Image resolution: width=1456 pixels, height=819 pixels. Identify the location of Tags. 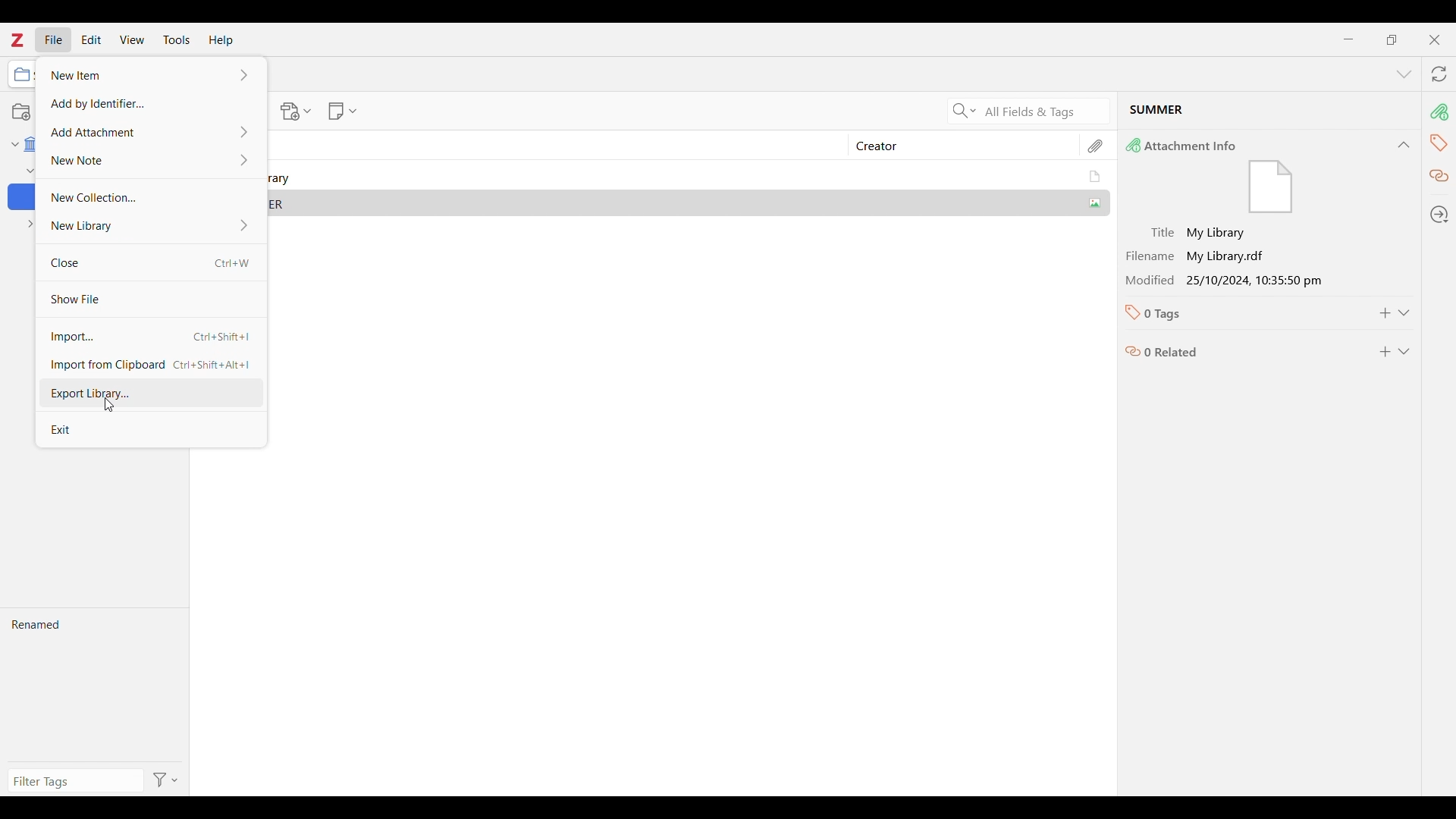
(1441, 143).